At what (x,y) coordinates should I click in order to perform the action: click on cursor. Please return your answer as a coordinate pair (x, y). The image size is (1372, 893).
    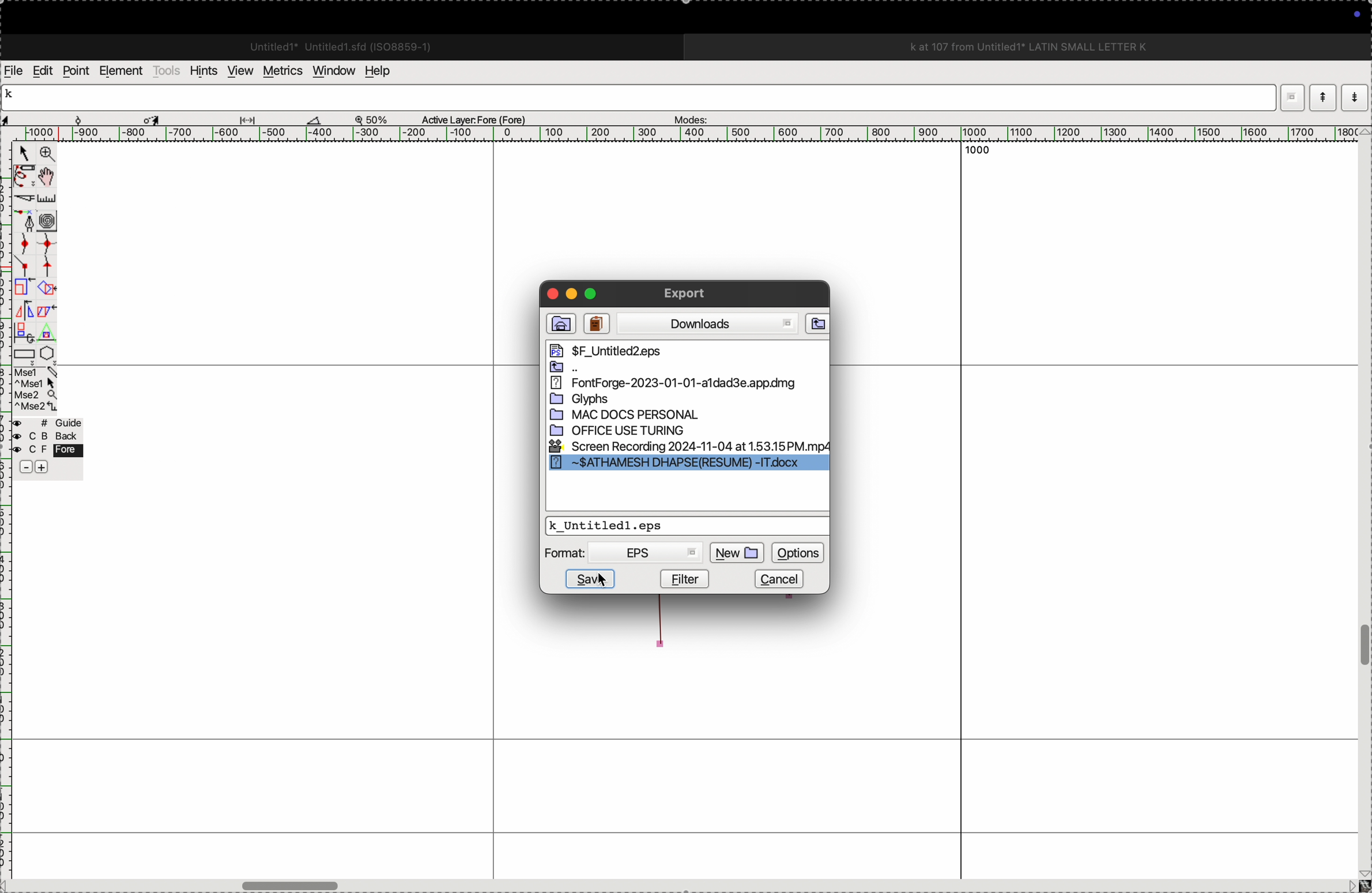
    Looking at the image, I should click on (24, 155).